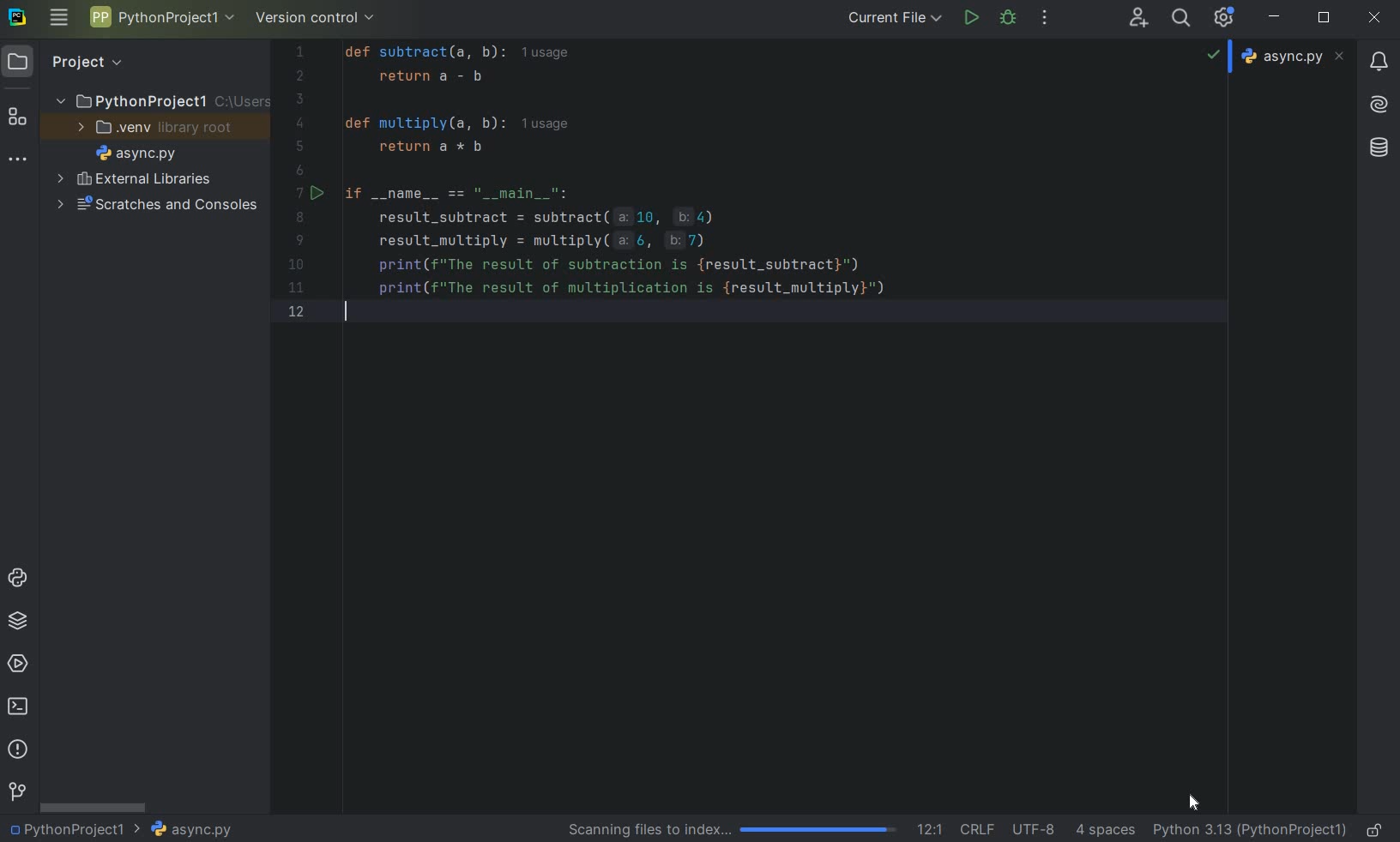 The height and width of the screenshot is (842, 1400). What do you see at coordinates (1276, 18) in the screenshot?
I see `minimize` at bounding box center [1276, 18].